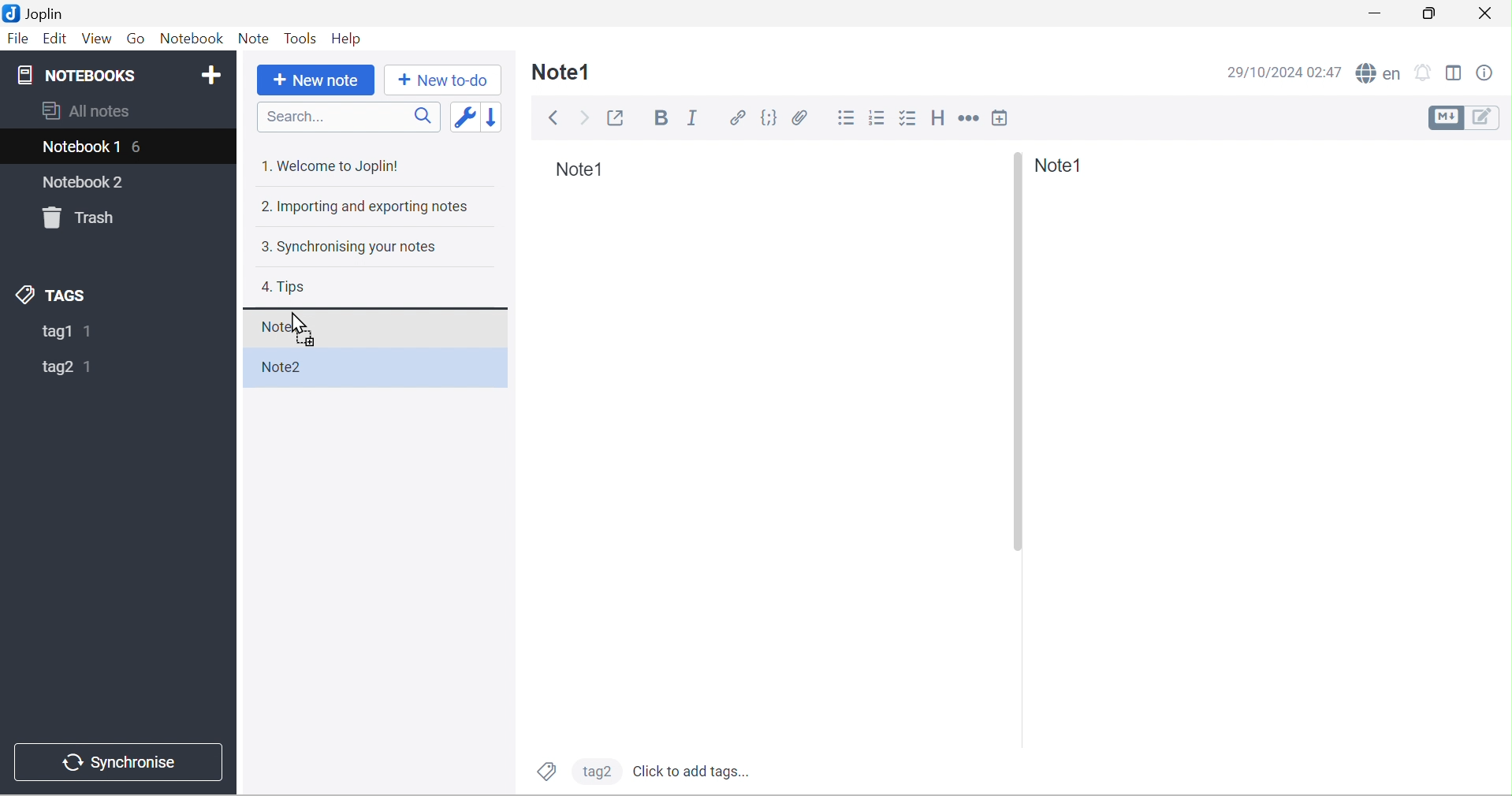 This screenshot has width=1512, height=796. What do you see at coordinates (77, 218) in the screenshot?
I see `Trash` at bounding box center [77, 218].